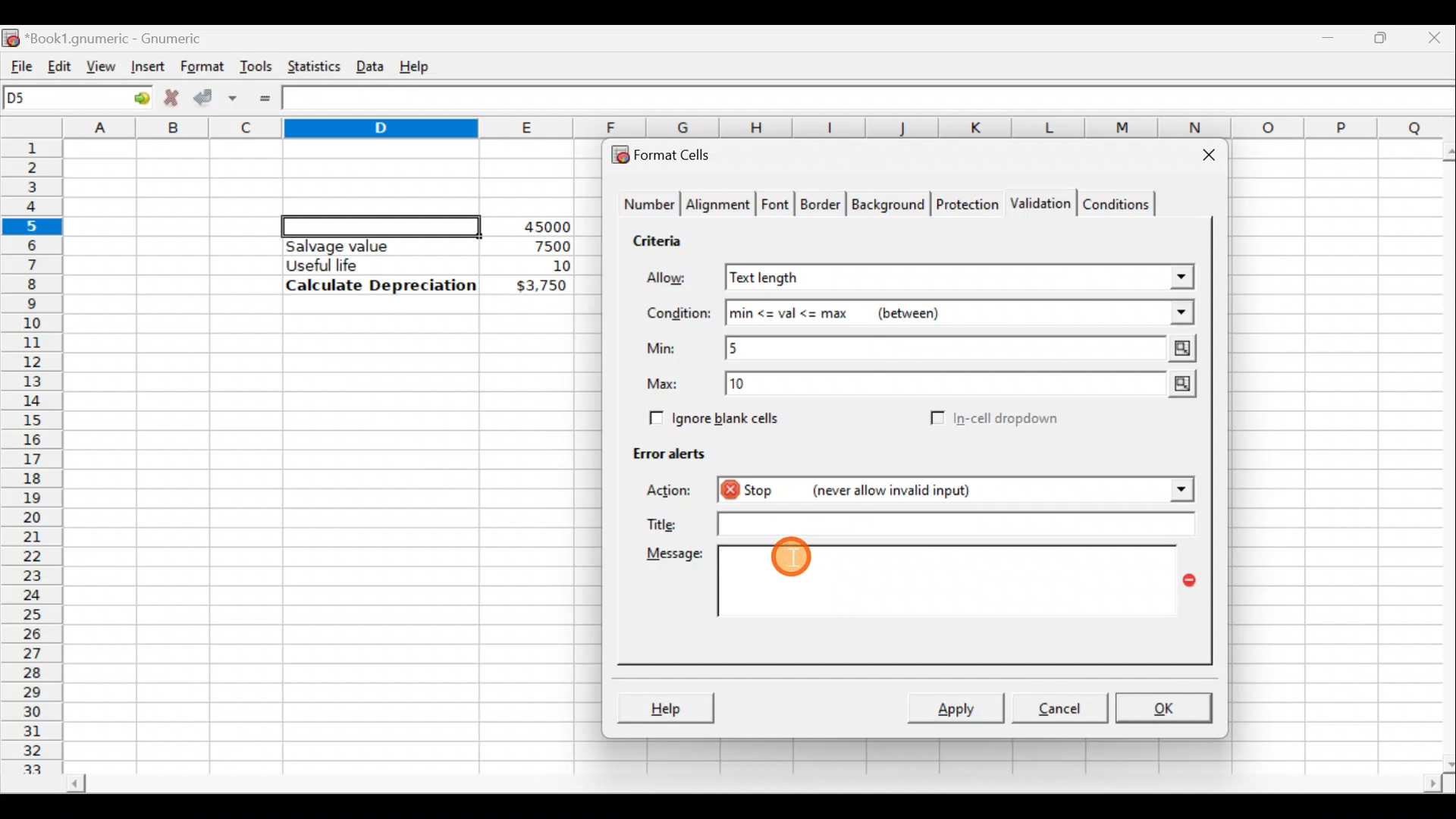  Describe the element at coordinates (541, 227) in the screenshot. I see `45000` at that location.